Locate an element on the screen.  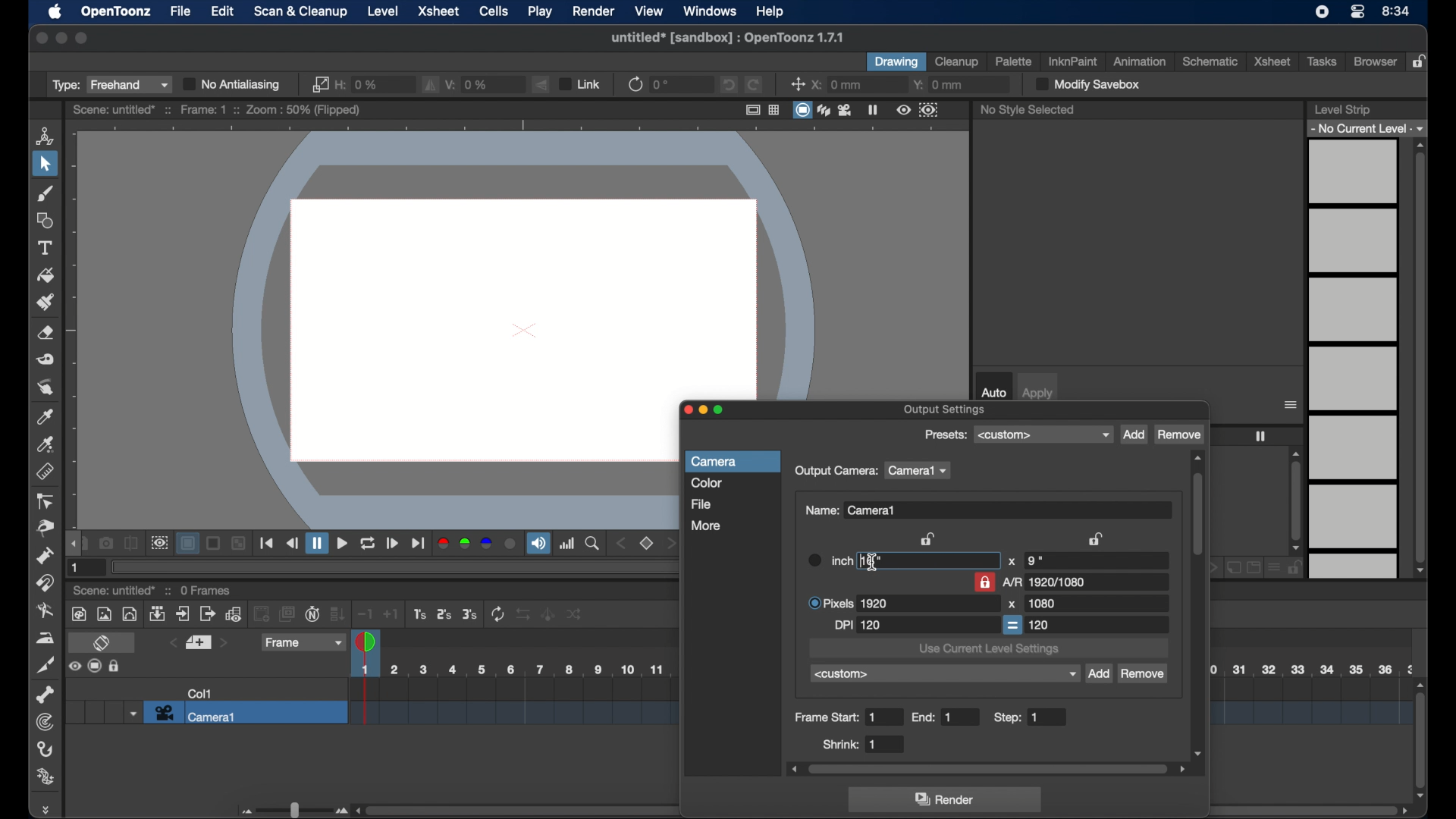
level strip is located at coordinates (1341, 109).